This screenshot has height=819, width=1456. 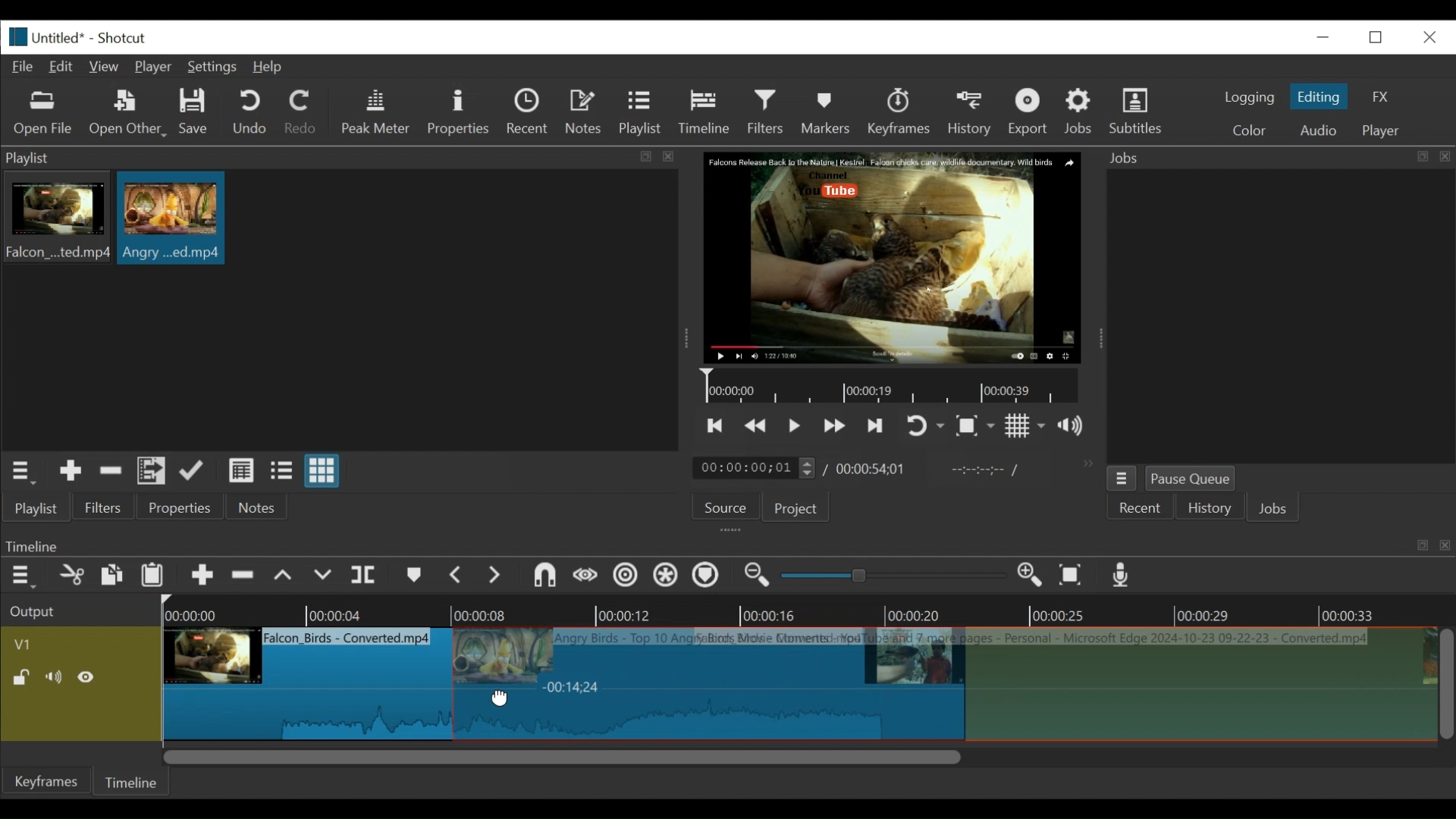 What do you see at coordinates (48, 781) in the screenshot?
I see `Keyframes` at bounding box center [48, 781].